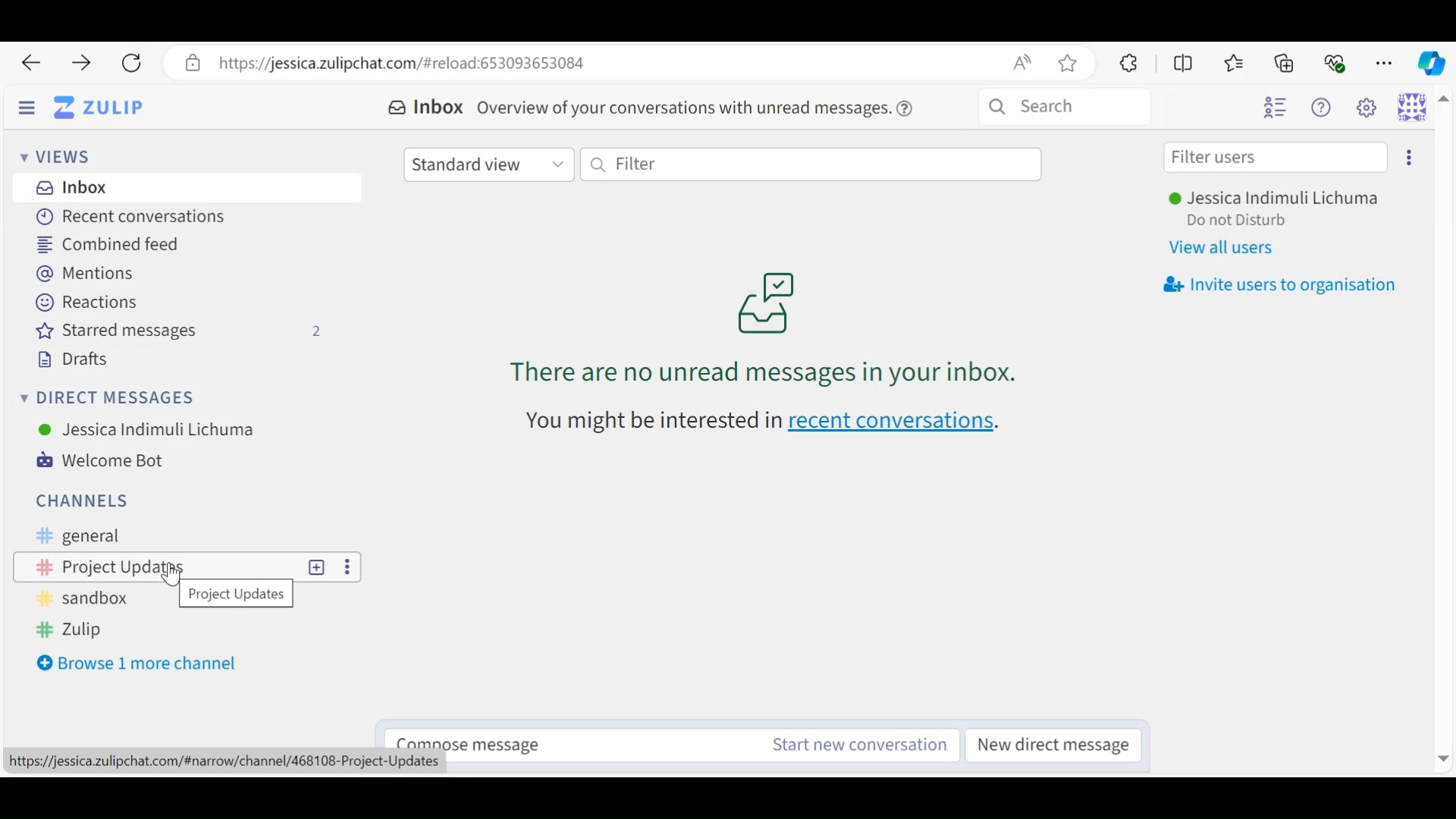 The height and width of the screenshot is (819, 1456). What do you see at coordinates (189, 598) in the screenshot?
I see `Channel` at bounding box center [189, 598].